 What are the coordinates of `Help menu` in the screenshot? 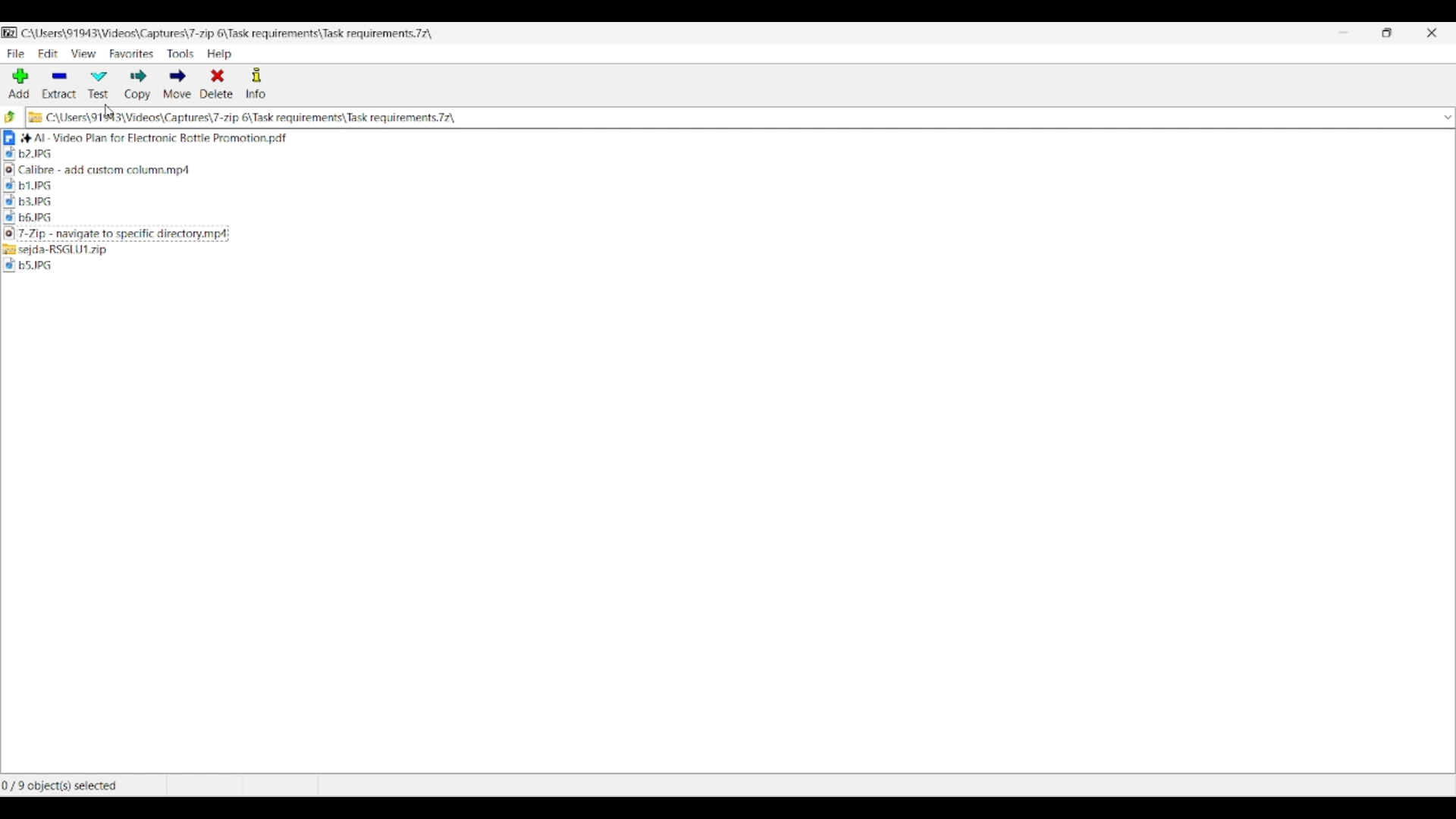 It's located at (220, 54).